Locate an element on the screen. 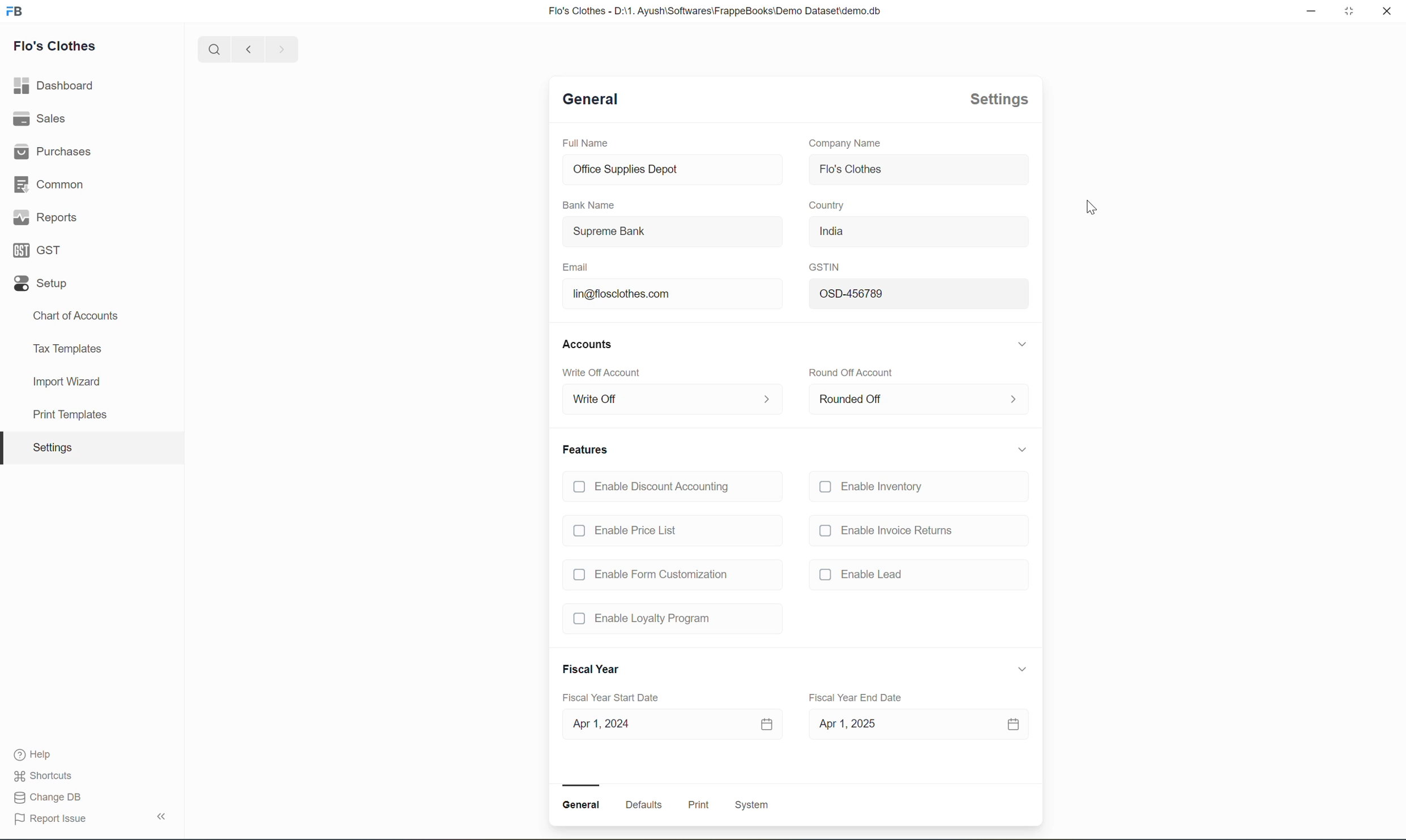 Image resolution: width=1406 pixels, height=840 pixels. Enable Discount Accounting is located at coordinates (654, 488).